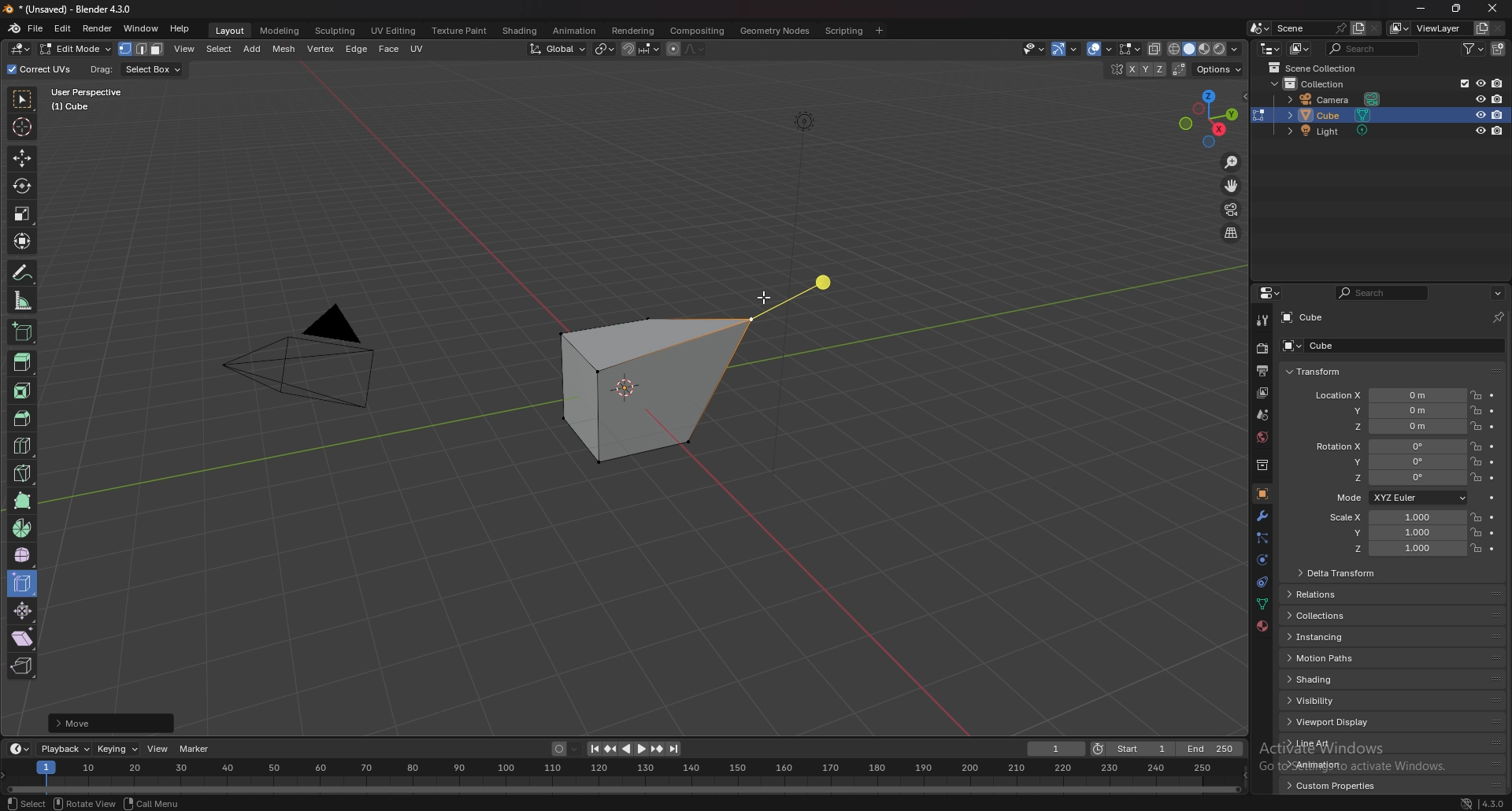 This screenshot has width=1512, height=811. I want to click on close, so click(1494, 9).